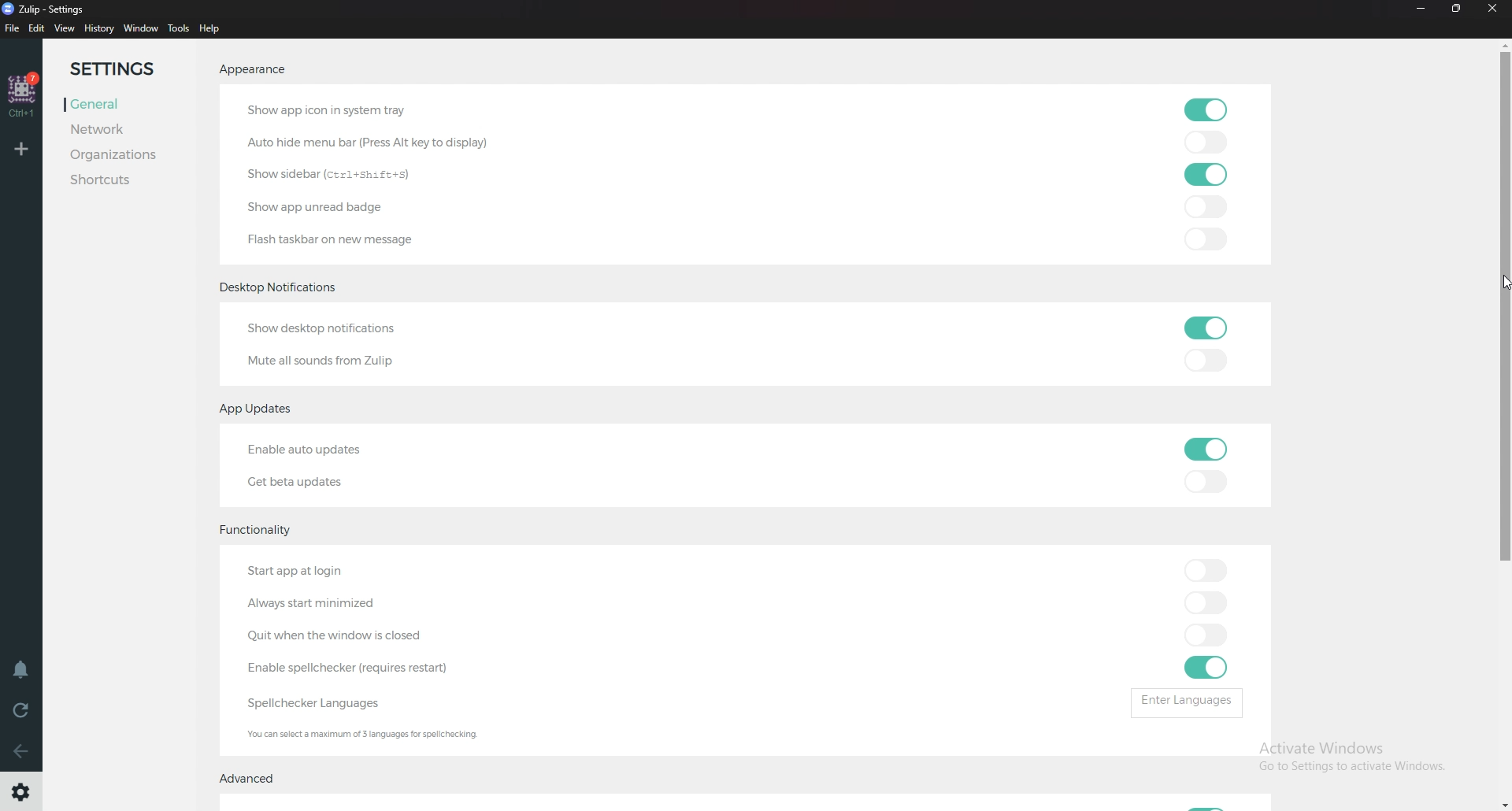  I want to click on General, so click(117, 105).